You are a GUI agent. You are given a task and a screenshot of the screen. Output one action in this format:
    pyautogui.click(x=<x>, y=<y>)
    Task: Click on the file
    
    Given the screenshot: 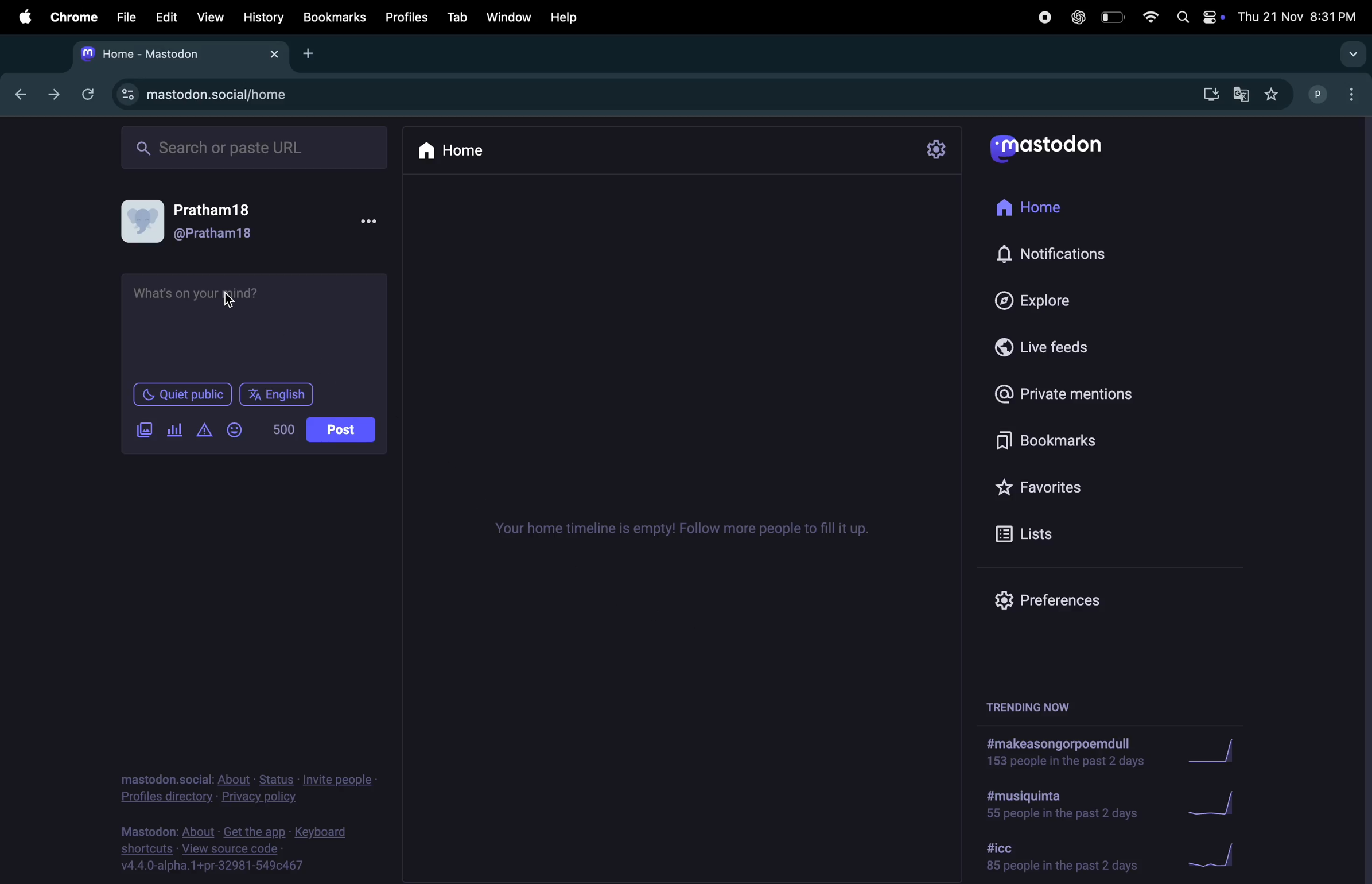 What is the action you would take?
    pyautogui.click(x=127, y=18)
    